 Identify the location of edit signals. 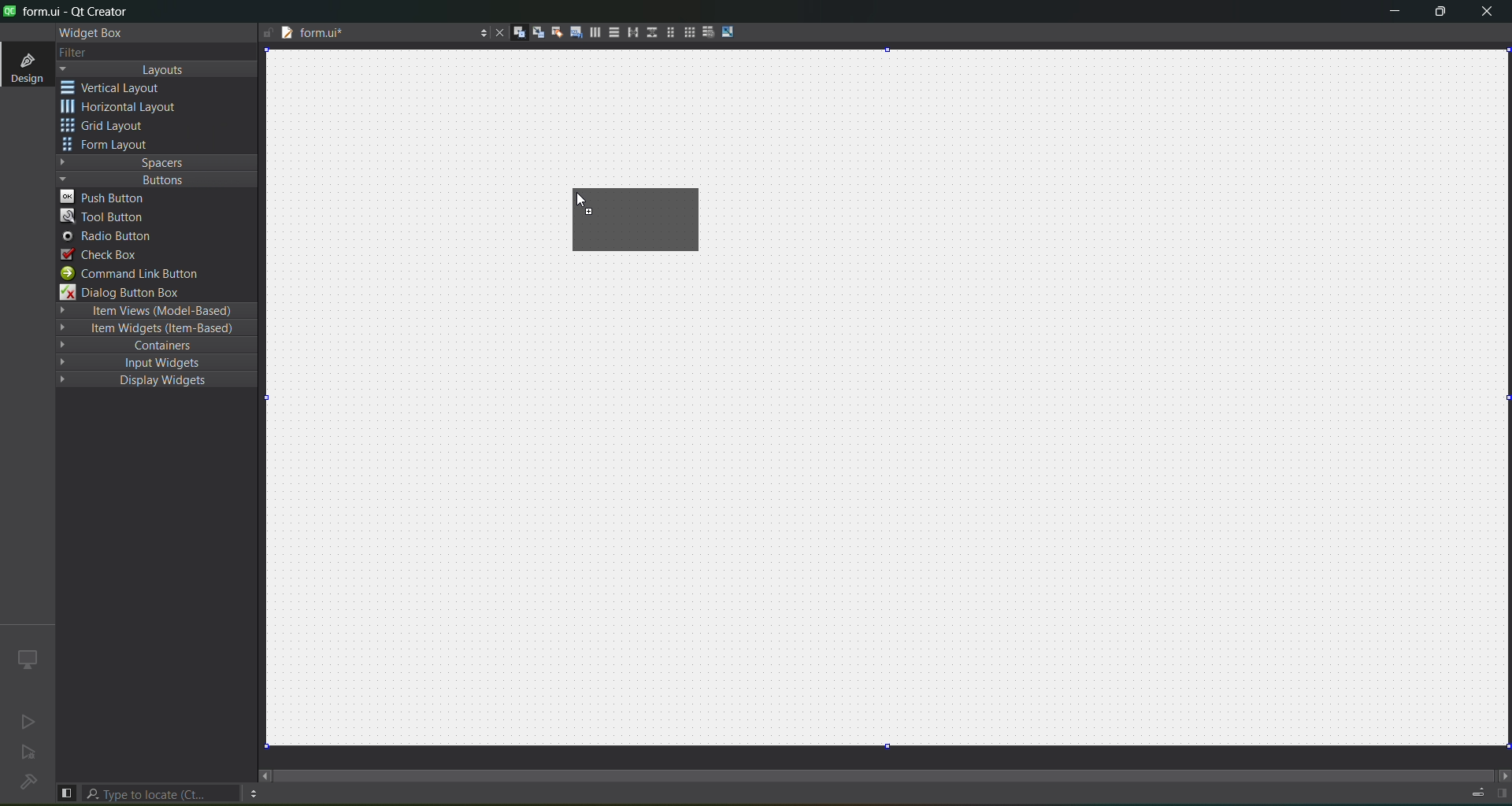
(538, 35).